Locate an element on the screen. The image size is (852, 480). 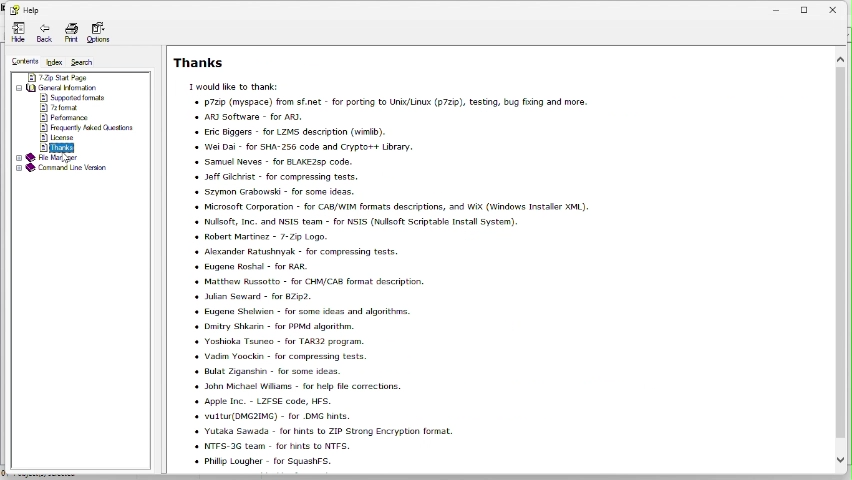
Minimize is located at coordinates (777, 8).